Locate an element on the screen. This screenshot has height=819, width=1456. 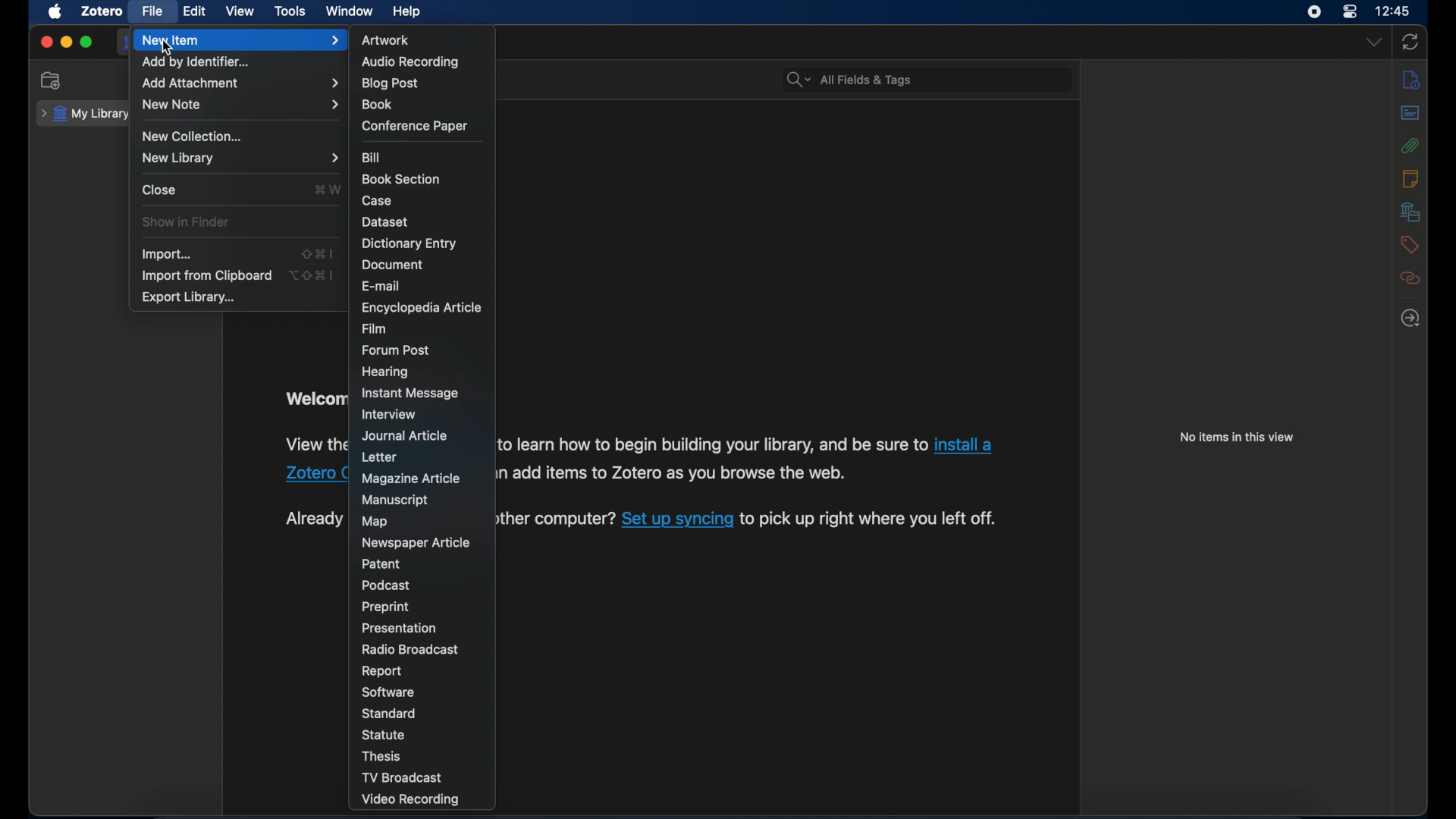
encyclopedia article is located at coordinates (420, 307).